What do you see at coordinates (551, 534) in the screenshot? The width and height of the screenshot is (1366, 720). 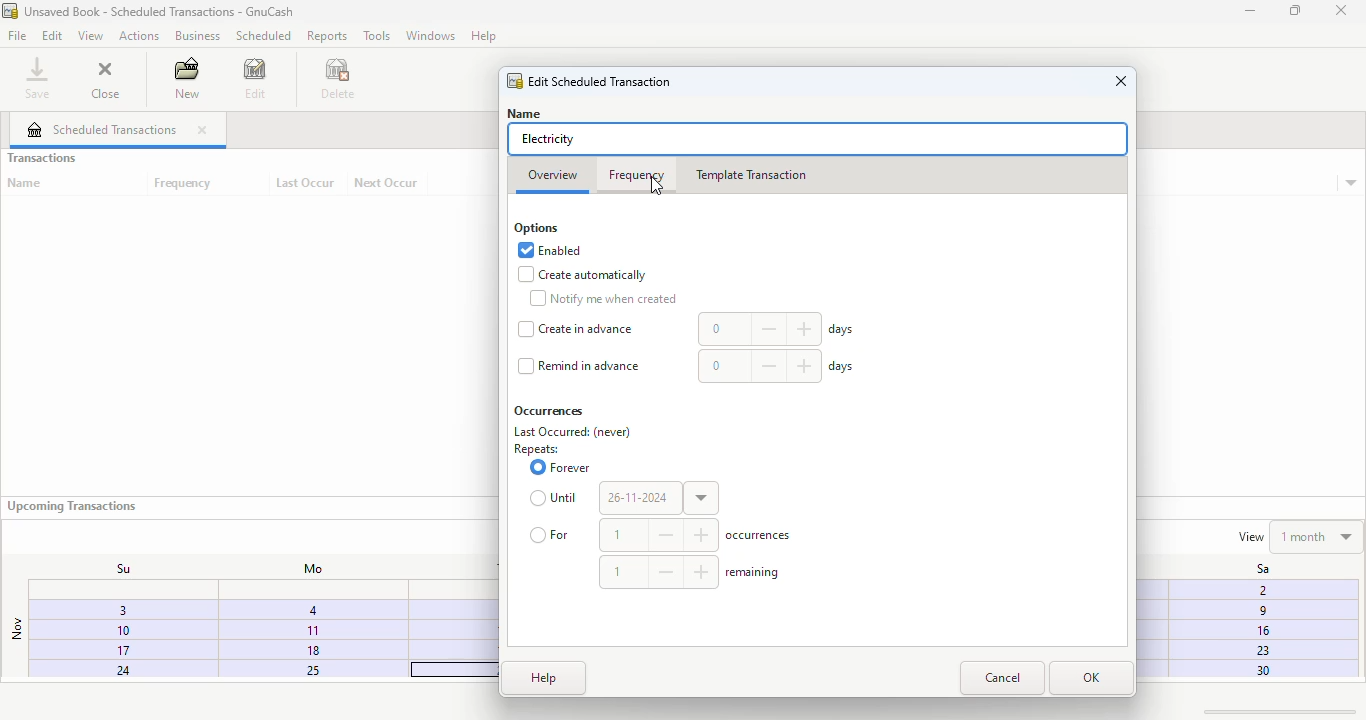 I see `for` at bounding box center [551, 534].